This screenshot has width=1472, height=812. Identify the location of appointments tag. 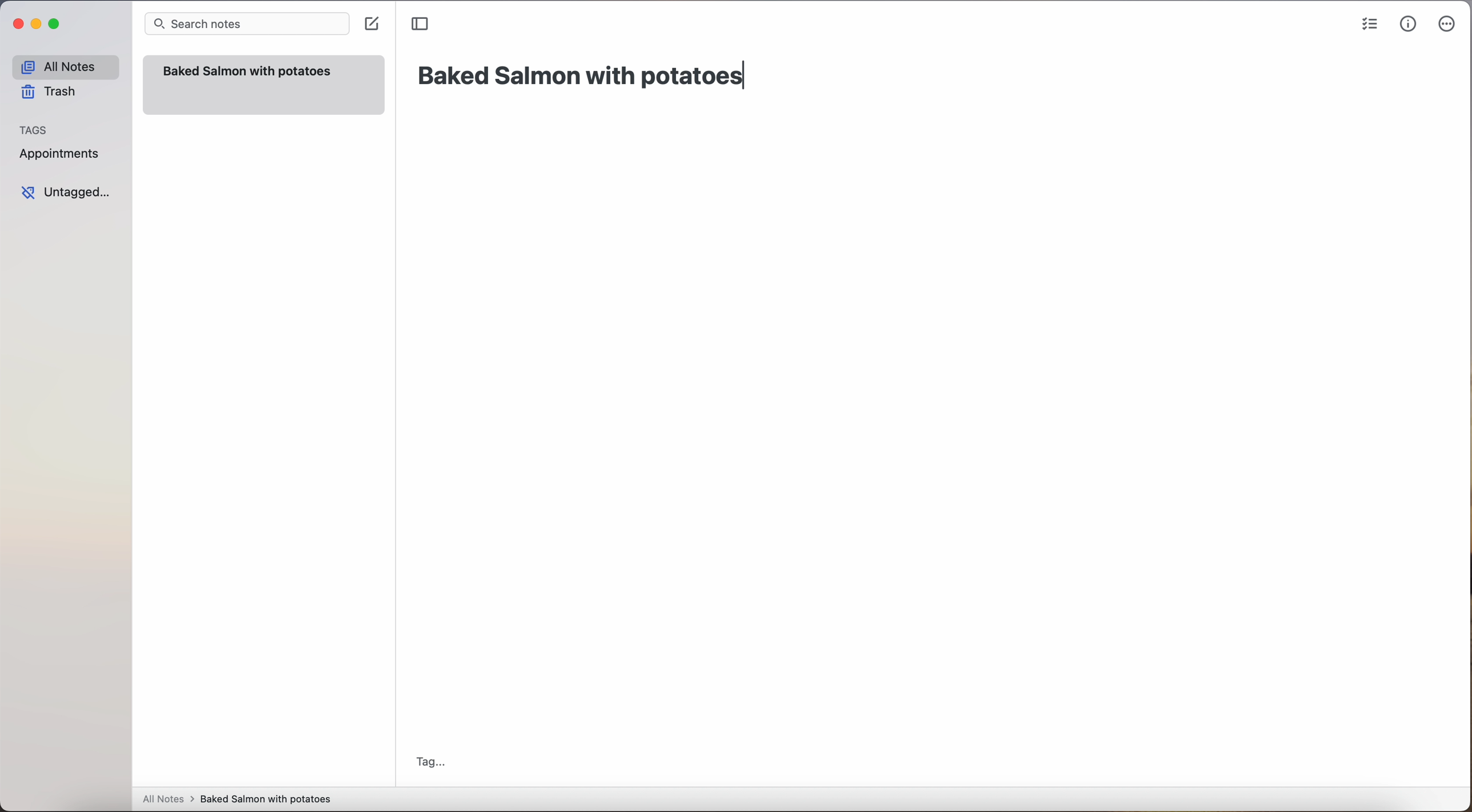
(61, 151).